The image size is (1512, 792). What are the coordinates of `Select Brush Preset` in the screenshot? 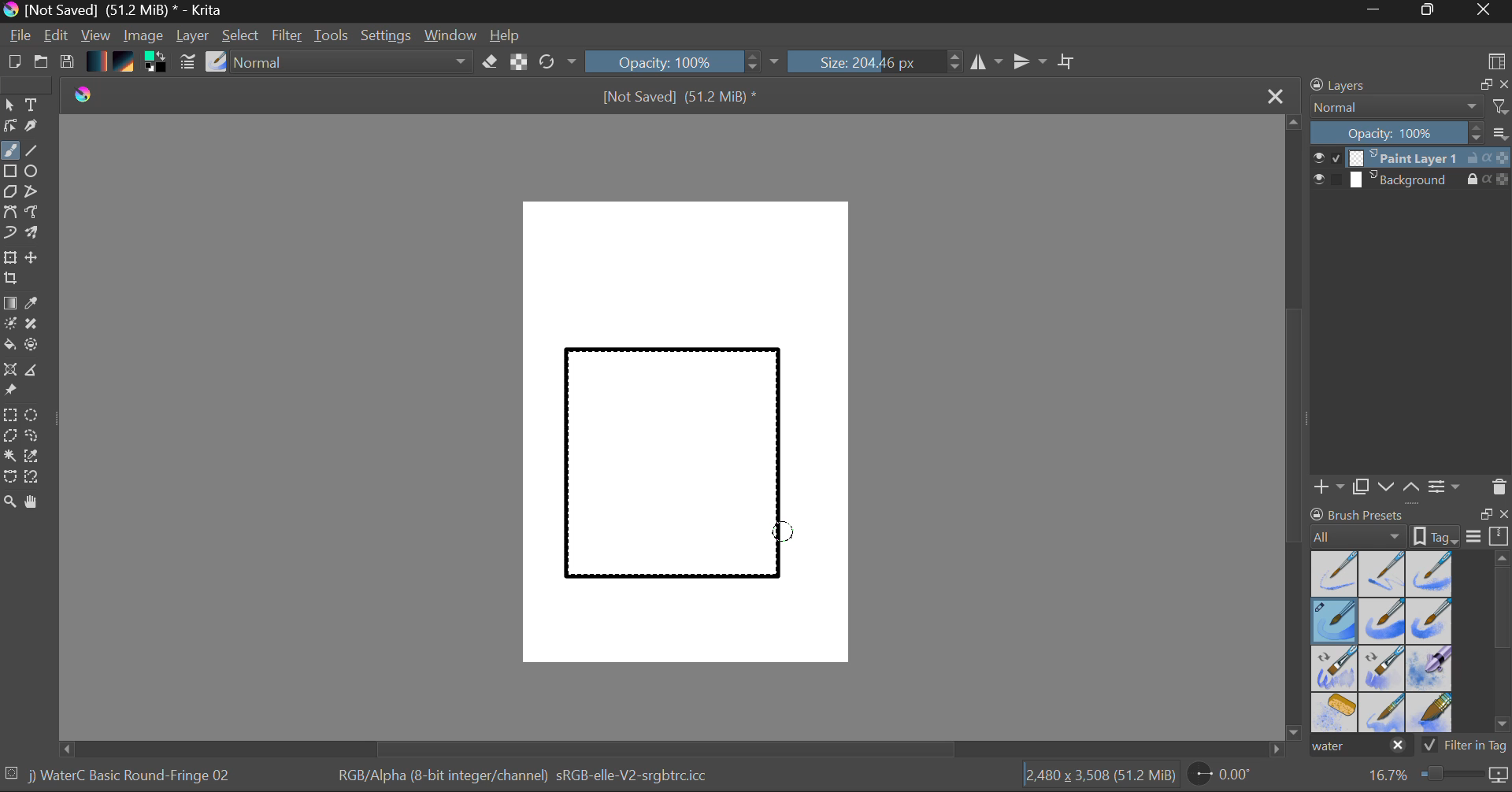 It's located at (217, 62).